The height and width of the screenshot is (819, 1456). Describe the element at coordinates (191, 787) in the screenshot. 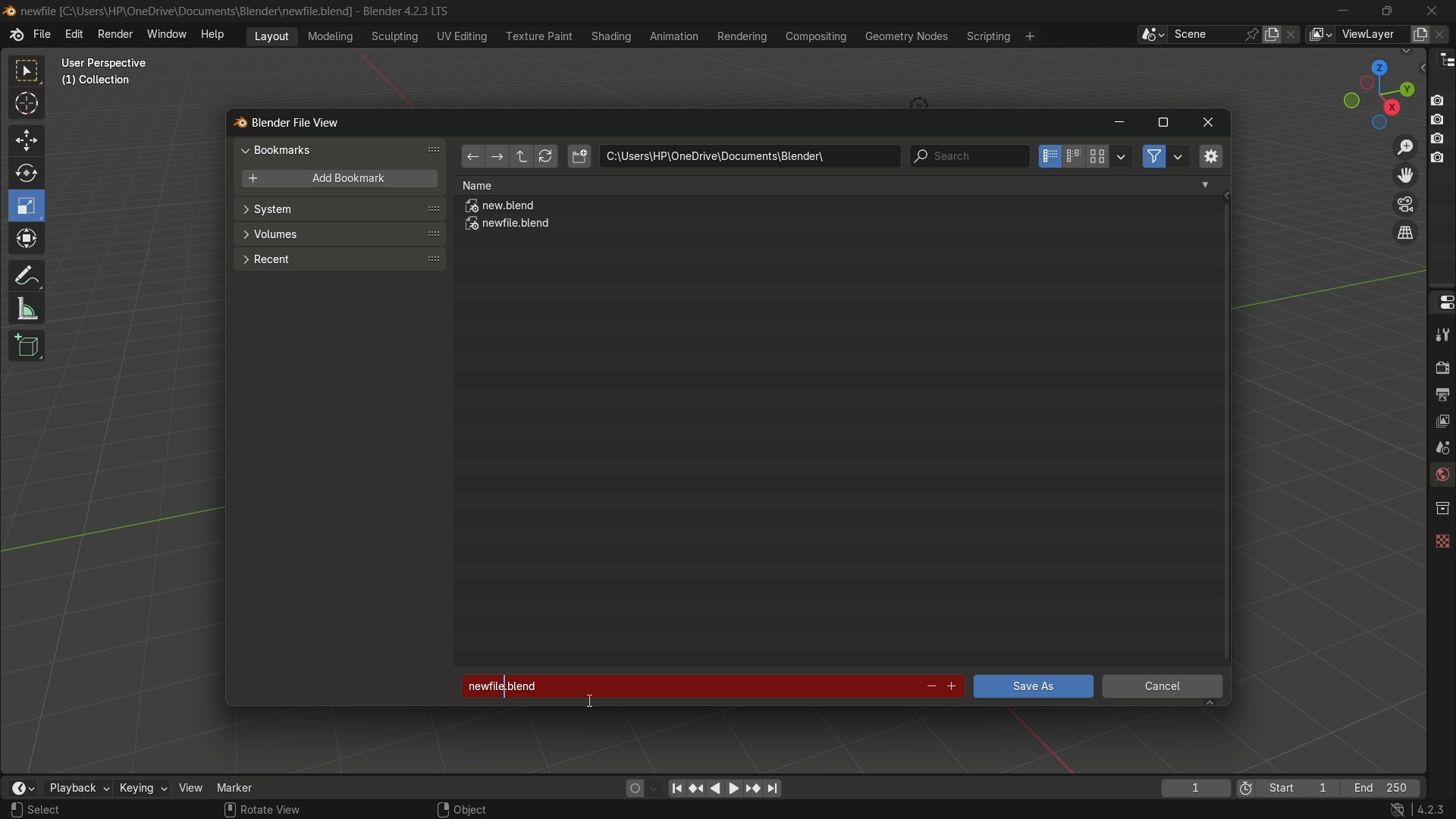

I see `view` at that location.